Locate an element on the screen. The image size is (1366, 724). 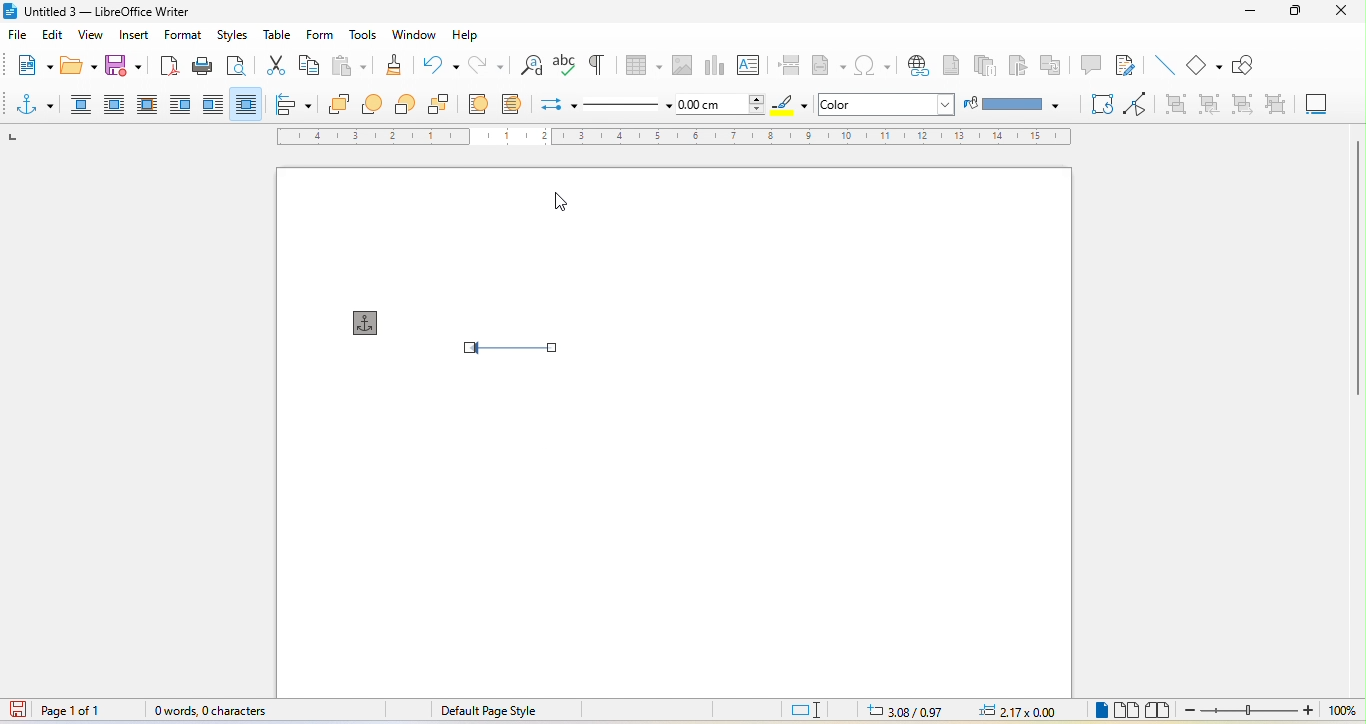
zoom is located at coordinates (1274, 711).